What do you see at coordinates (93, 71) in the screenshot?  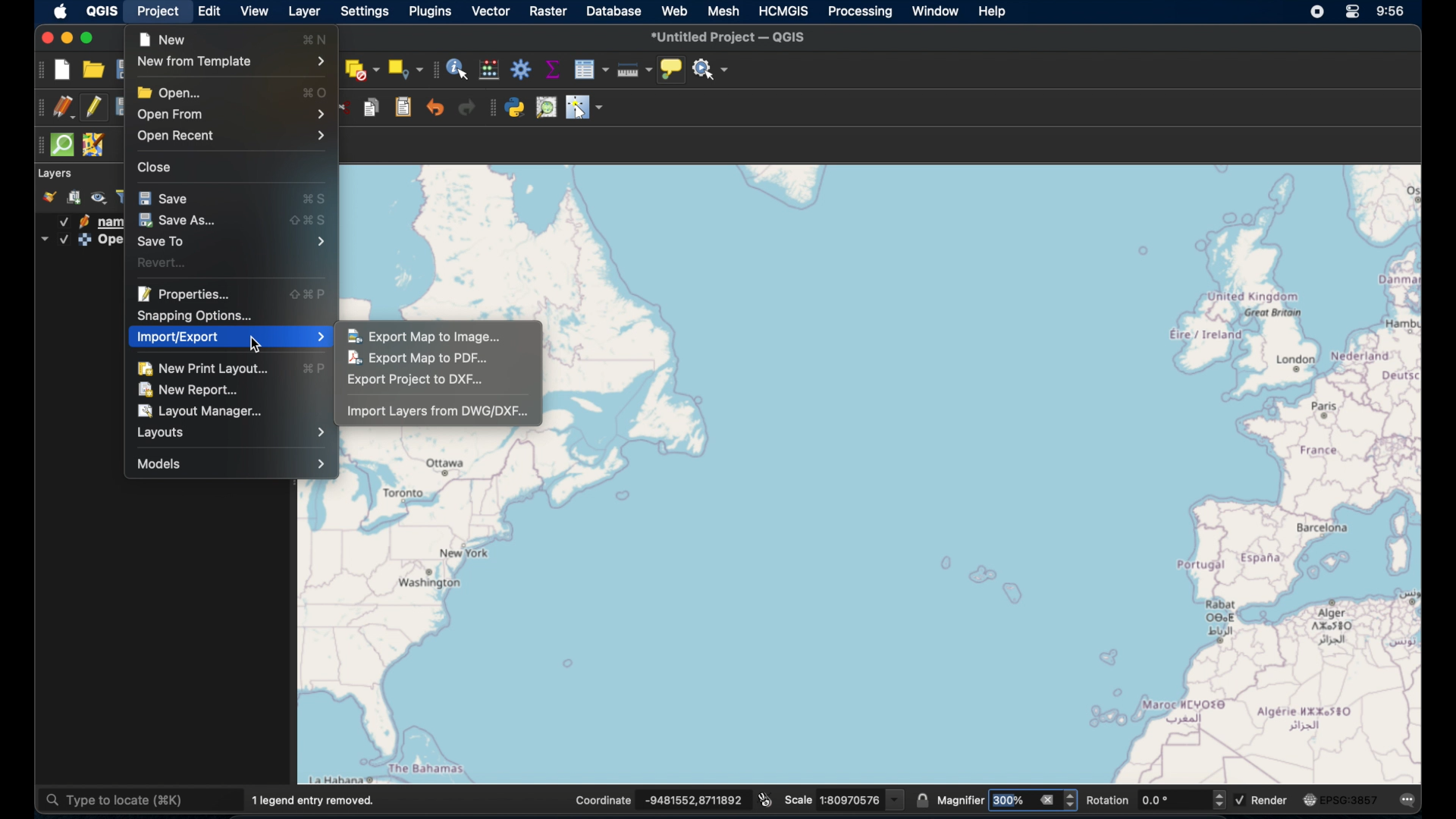 I see `open project` at bounding box center [93, 71].